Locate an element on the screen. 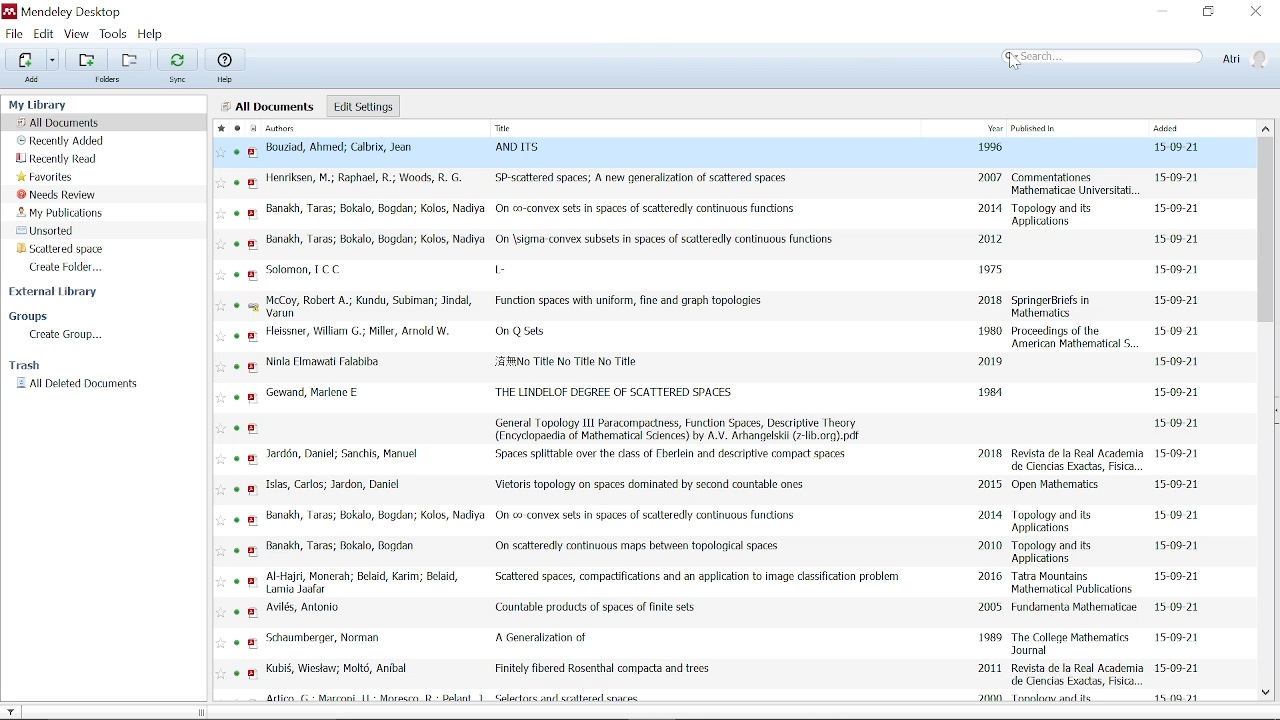 The height and width of the screenshot is (720, 1280). Atri is located at coordinates (1245, 57).